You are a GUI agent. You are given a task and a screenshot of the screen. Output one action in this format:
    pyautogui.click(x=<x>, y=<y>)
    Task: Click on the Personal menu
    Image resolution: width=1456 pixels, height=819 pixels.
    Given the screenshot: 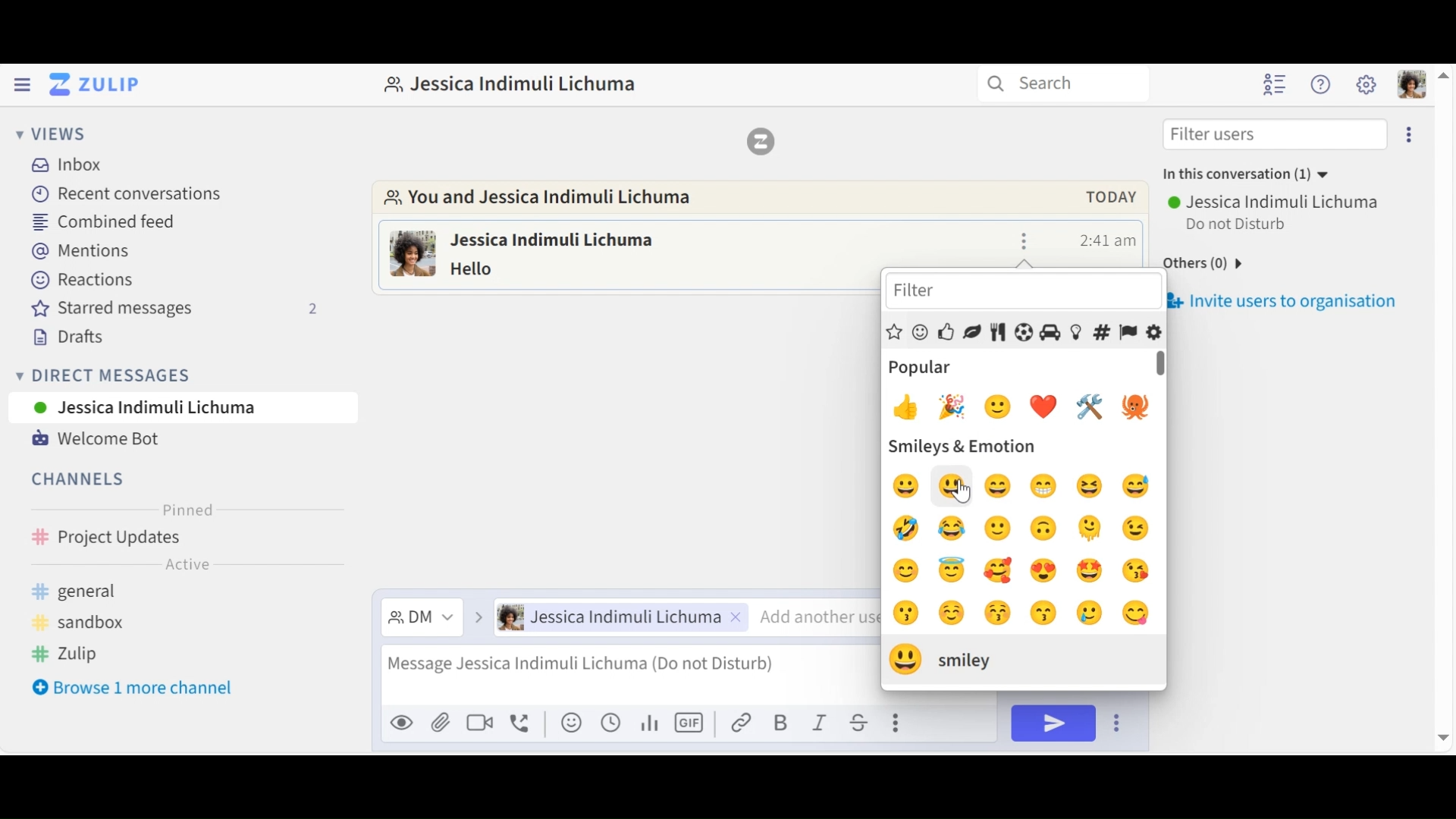 What is the action you would take?
    pyautogui.click(x=1412, y=84)
    